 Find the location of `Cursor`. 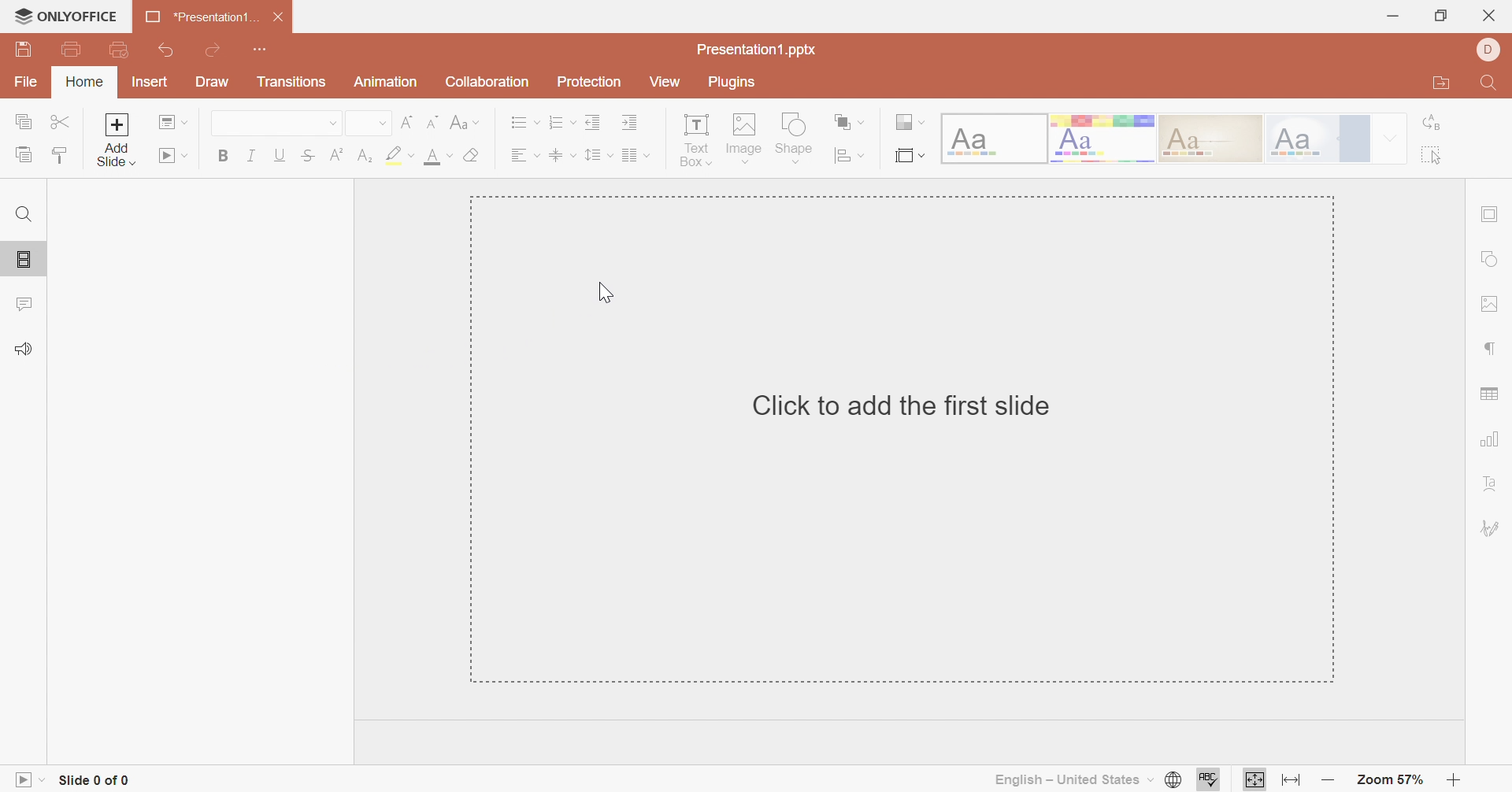

Cursor is located at coordinates (605, 291).